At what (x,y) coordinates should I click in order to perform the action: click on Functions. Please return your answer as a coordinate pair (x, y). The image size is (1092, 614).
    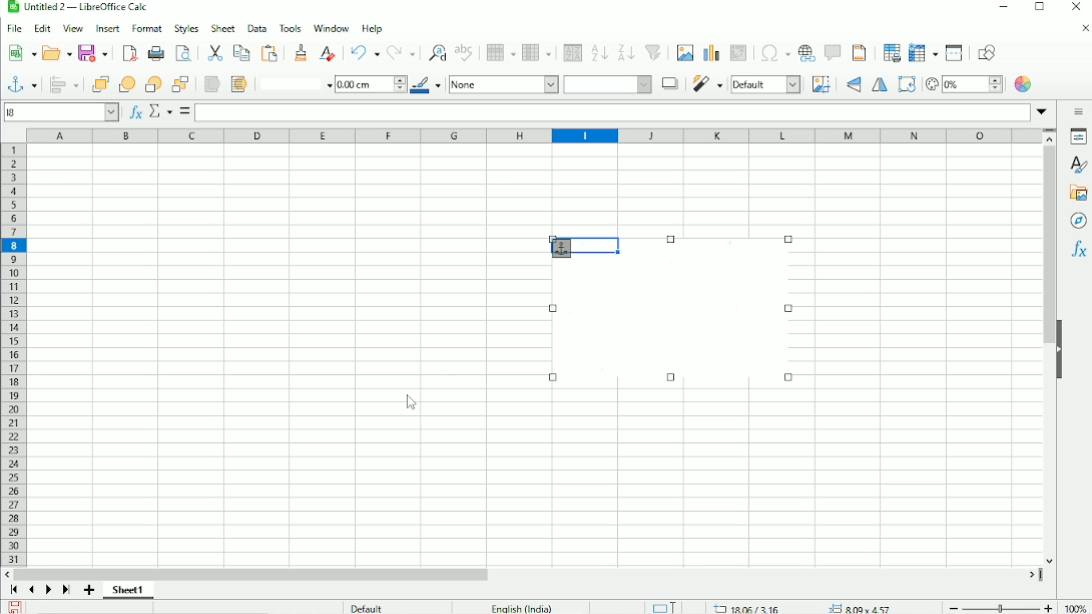
    Looking at the image, I should click on (1079, 248).